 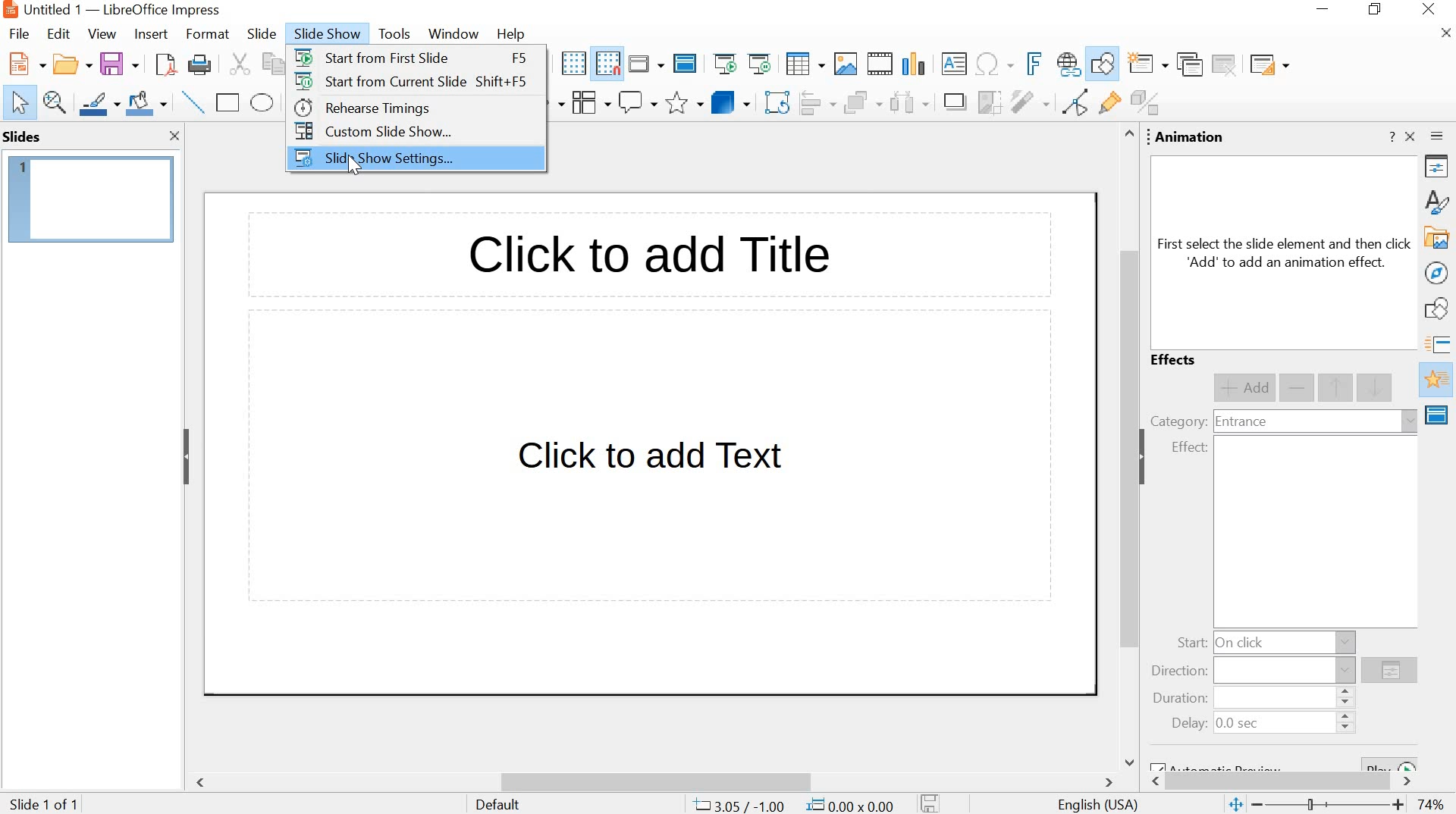 I want to click on export as pdf, so click(x=163, y=66).